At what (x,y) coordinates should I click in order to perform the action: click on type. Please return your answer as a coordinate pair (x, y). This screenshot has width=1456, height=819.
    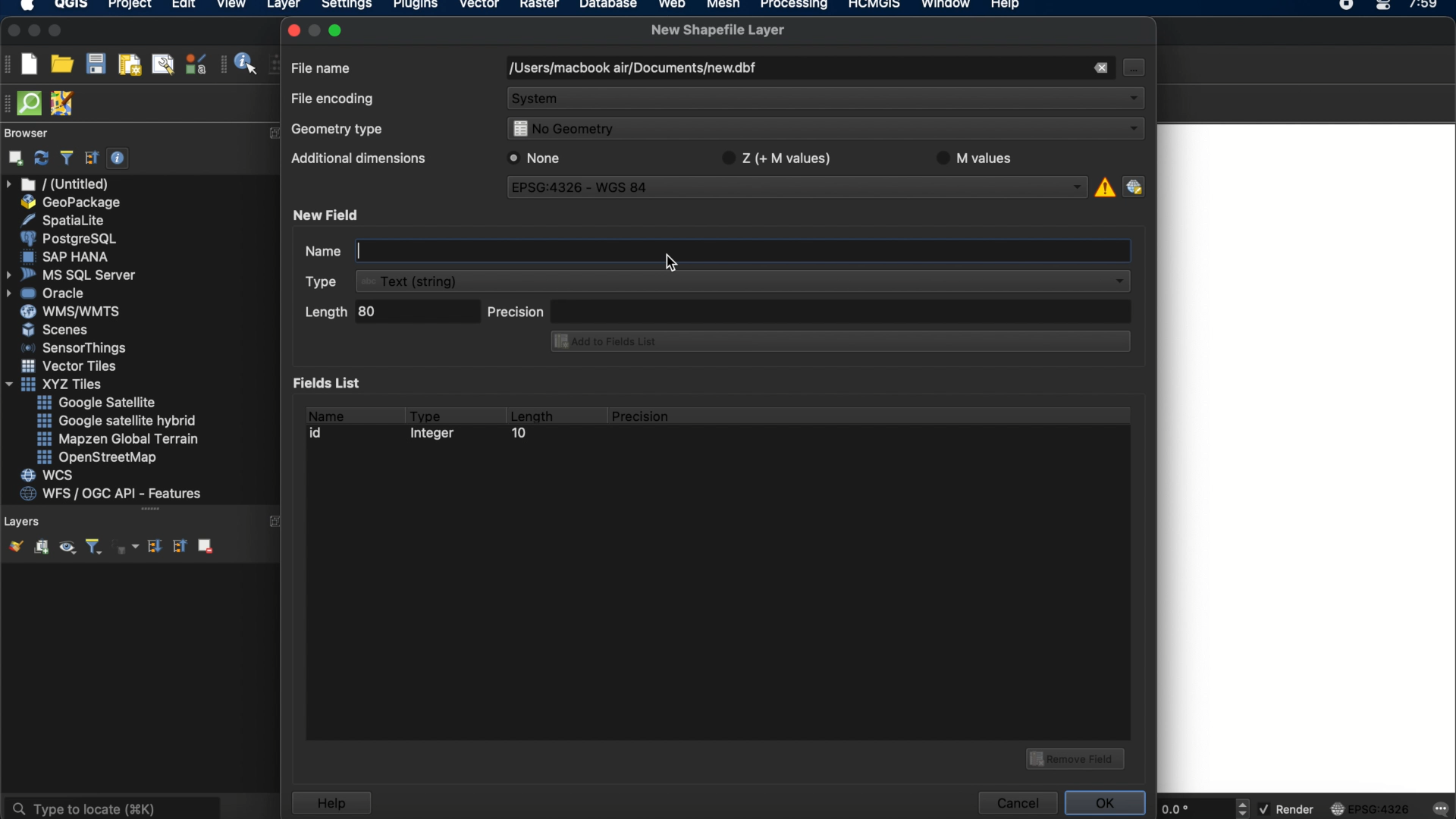
    Looking at the image, I should click on (426, 413).